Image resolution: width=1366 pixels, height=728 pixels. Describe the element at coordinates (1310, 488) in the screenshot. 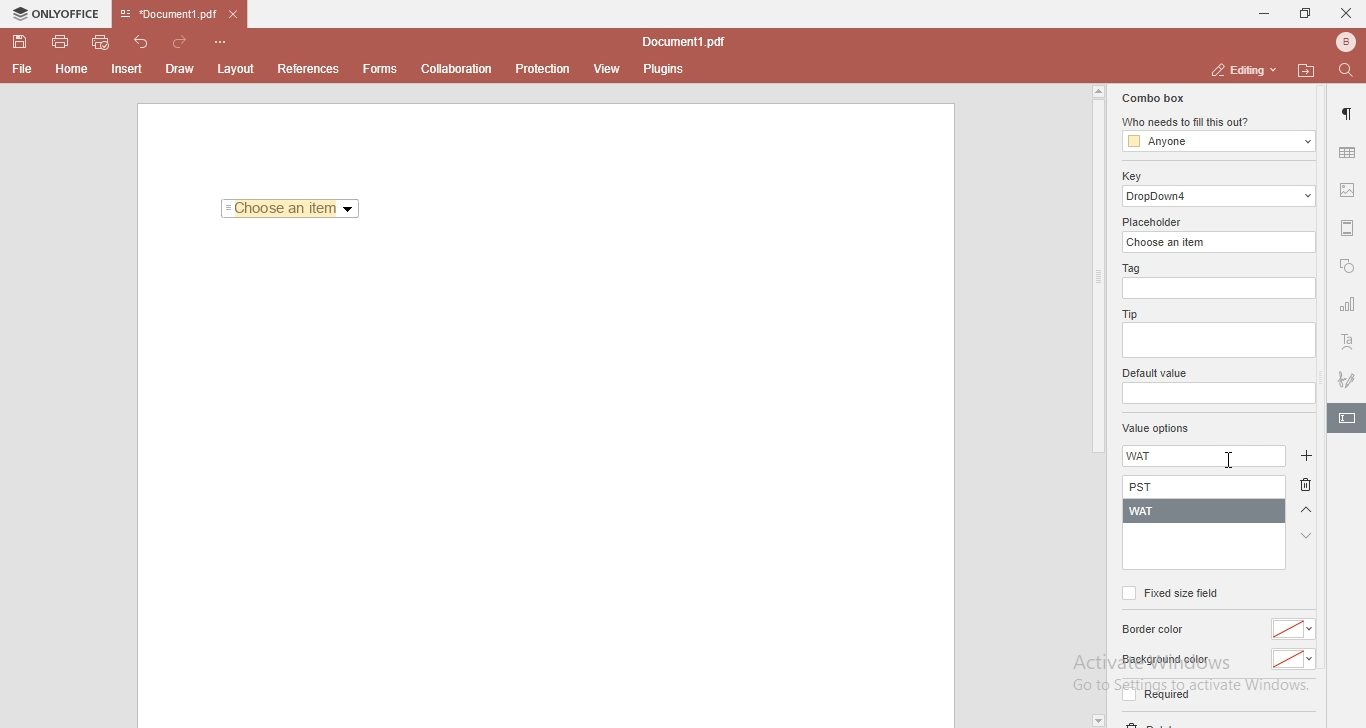

I see `delete` at that location.